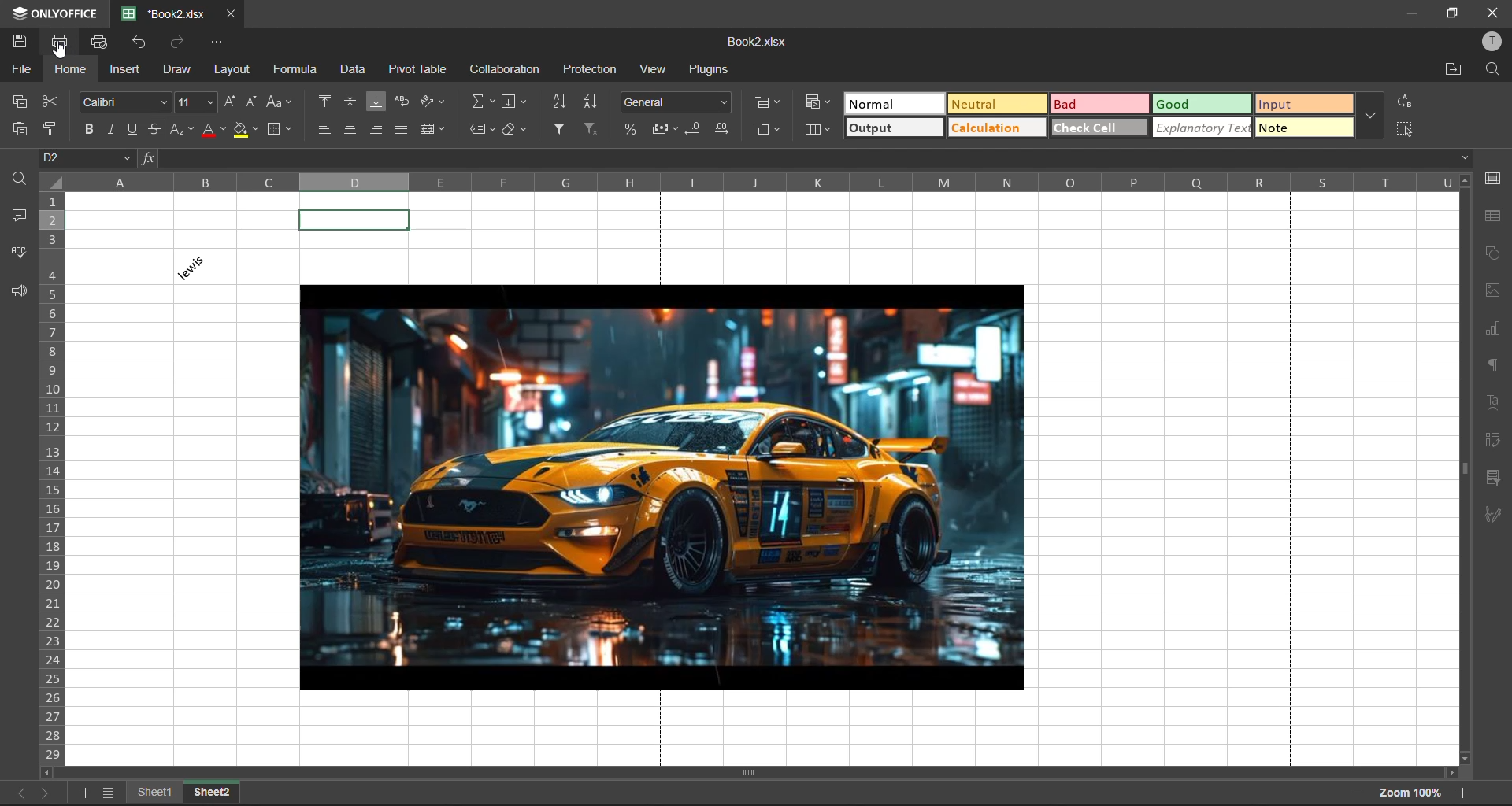  I want to click on insert, so click(127, 70).